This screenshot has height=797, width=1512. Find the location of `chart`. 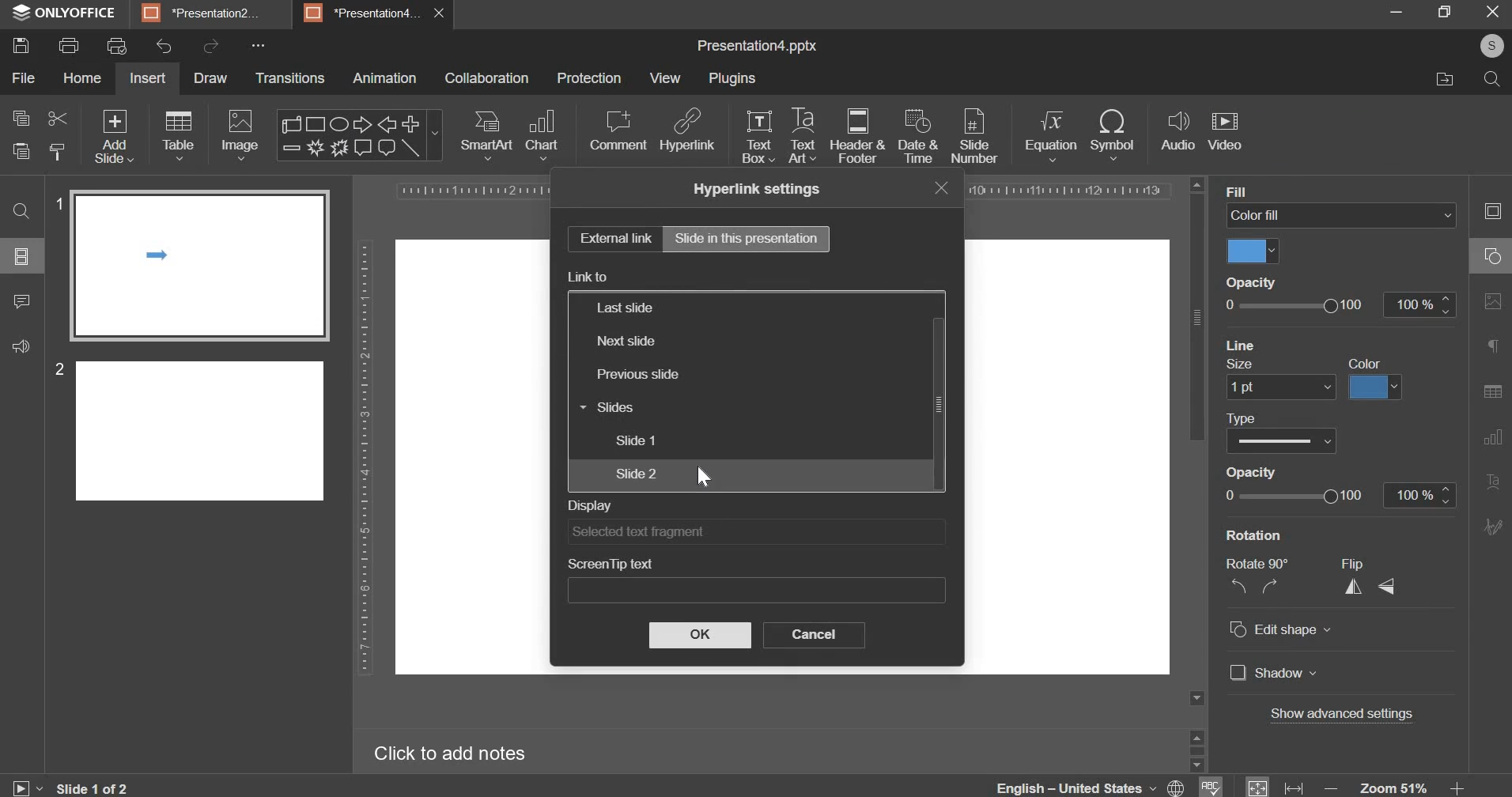

chart is located at coordinates (542, 136).